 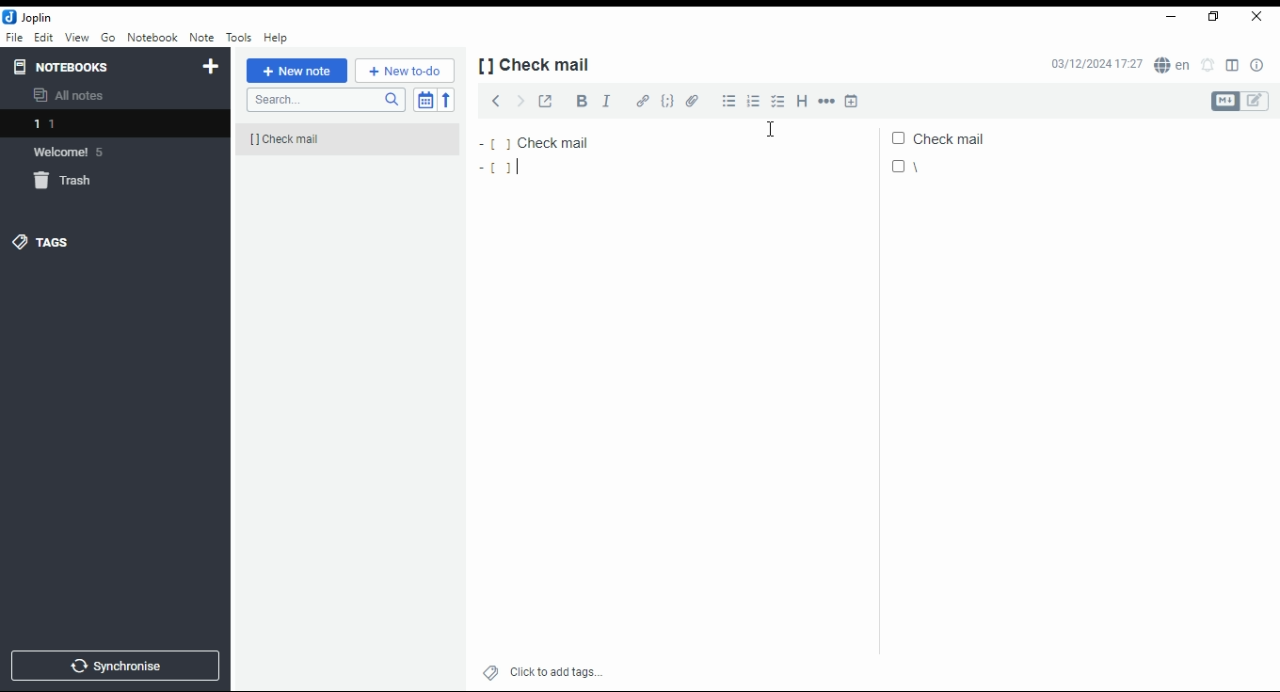 I want to click on 03/12/2024 17:27, so click(x=1096, y=64).